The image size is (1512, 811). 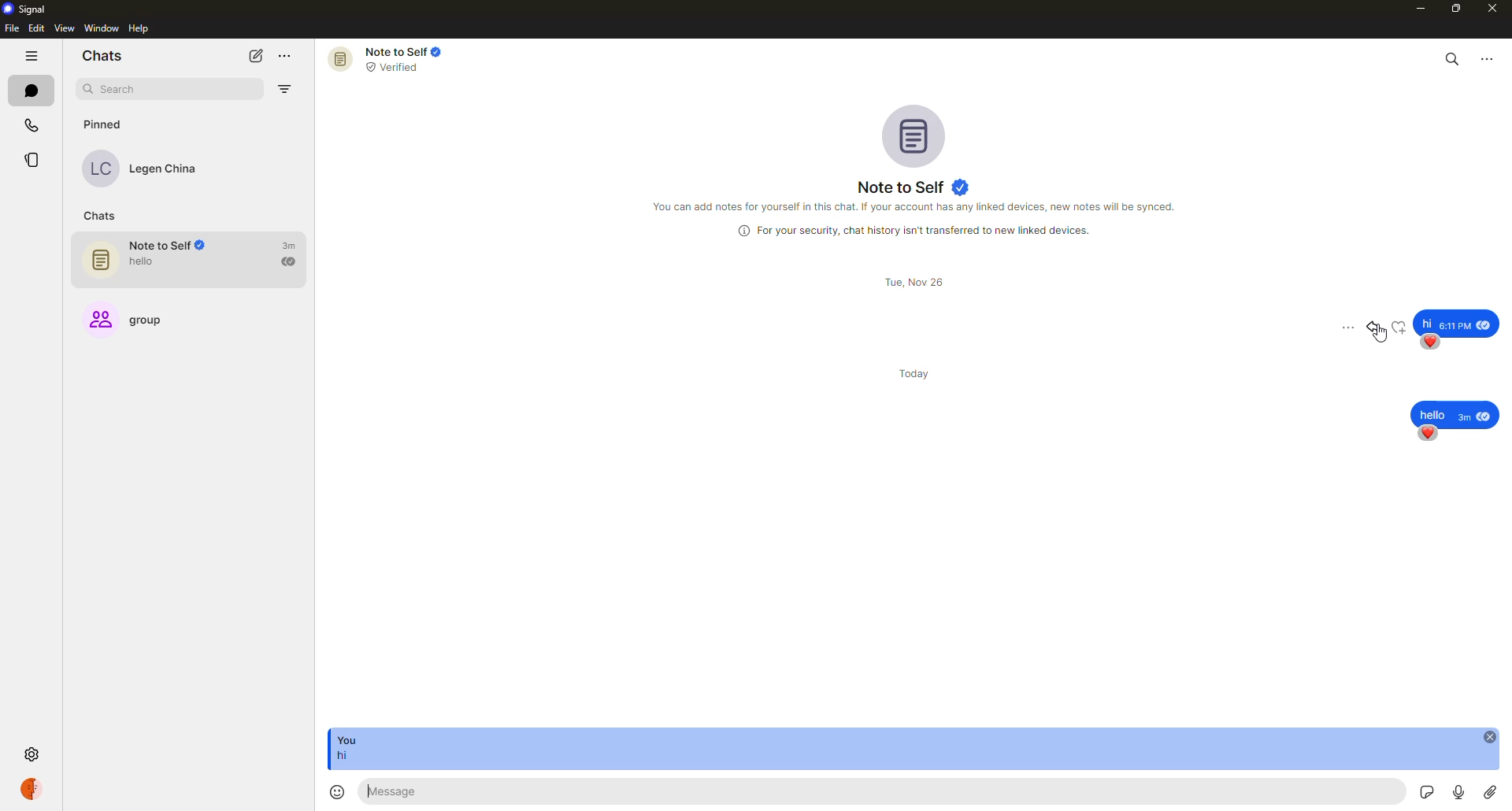 I want to click on note to self, so click(x=196, y=261).